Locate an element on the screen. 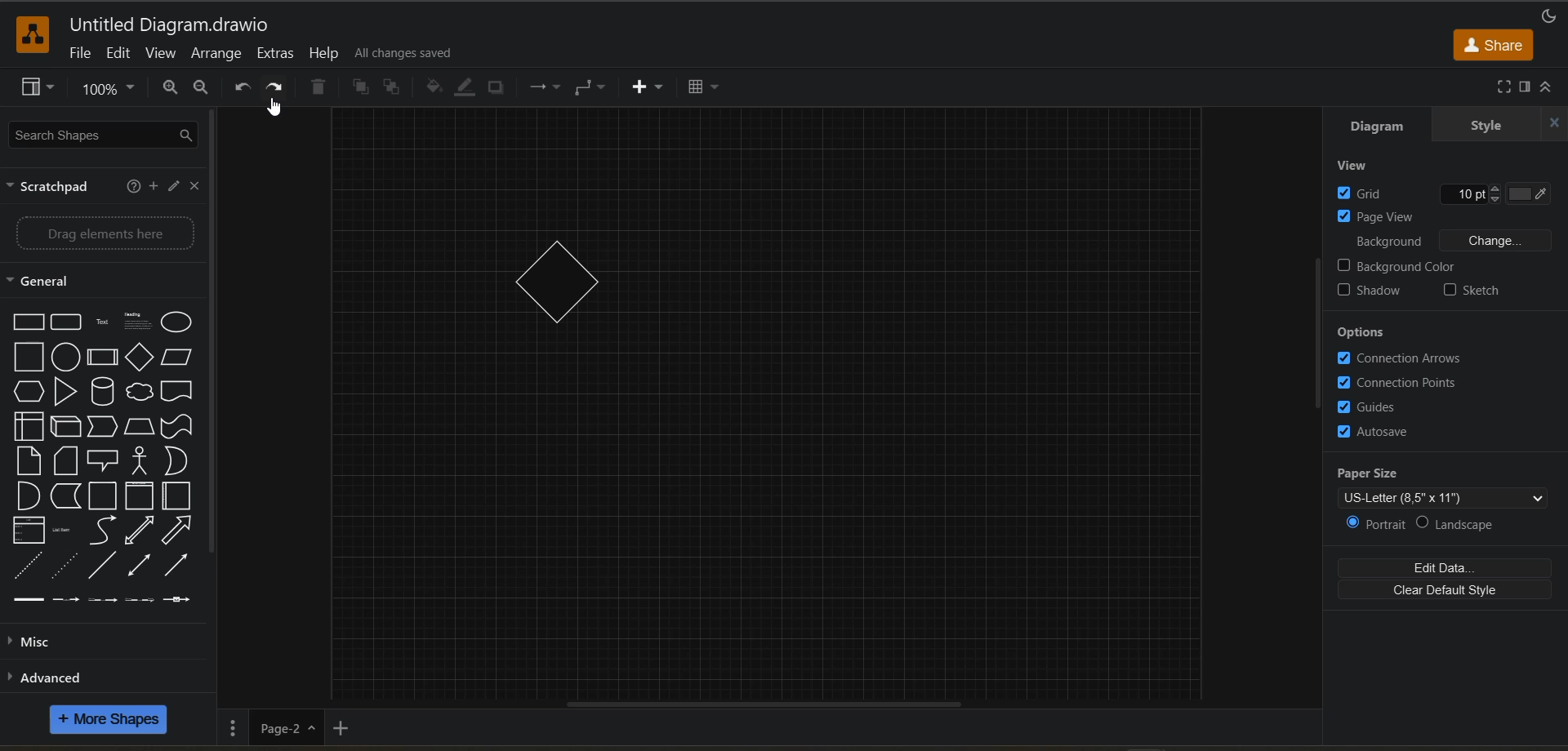 The height and width of the screenshot is (751, 1568). cloud is located at coordinates (137, 393).